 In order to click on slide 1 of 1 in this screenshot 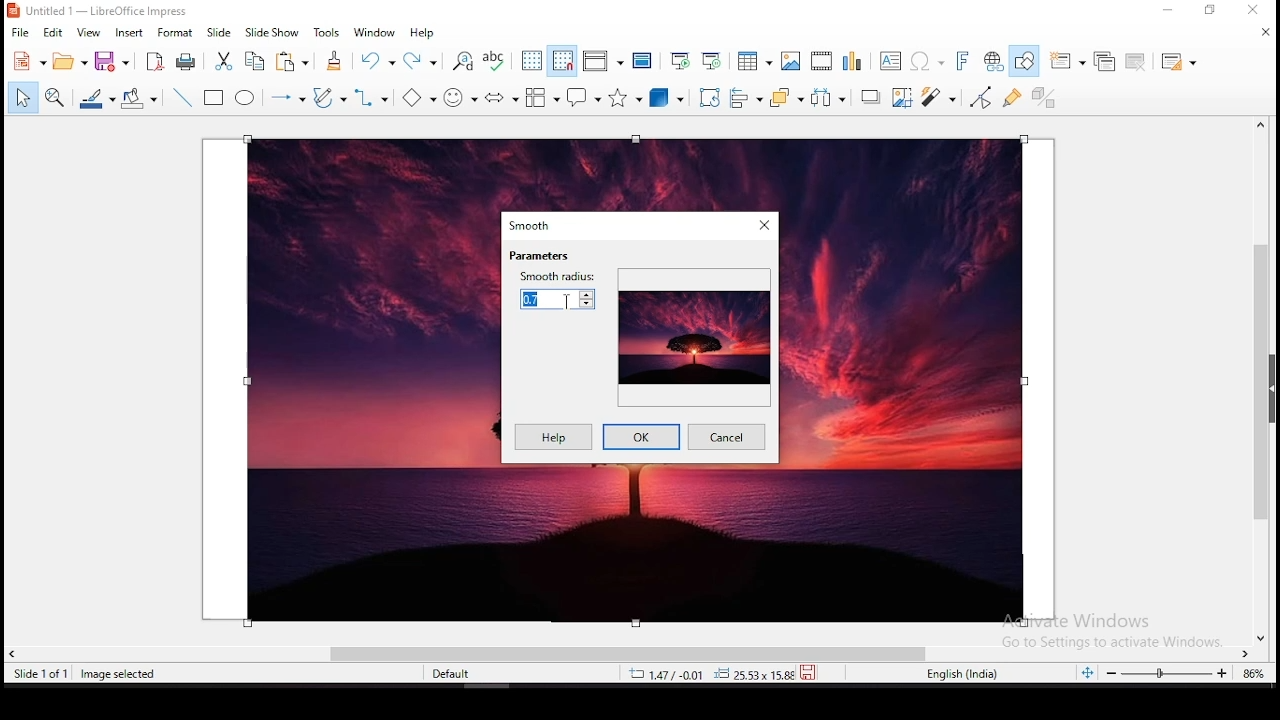, I will do `click(44, 674)`.